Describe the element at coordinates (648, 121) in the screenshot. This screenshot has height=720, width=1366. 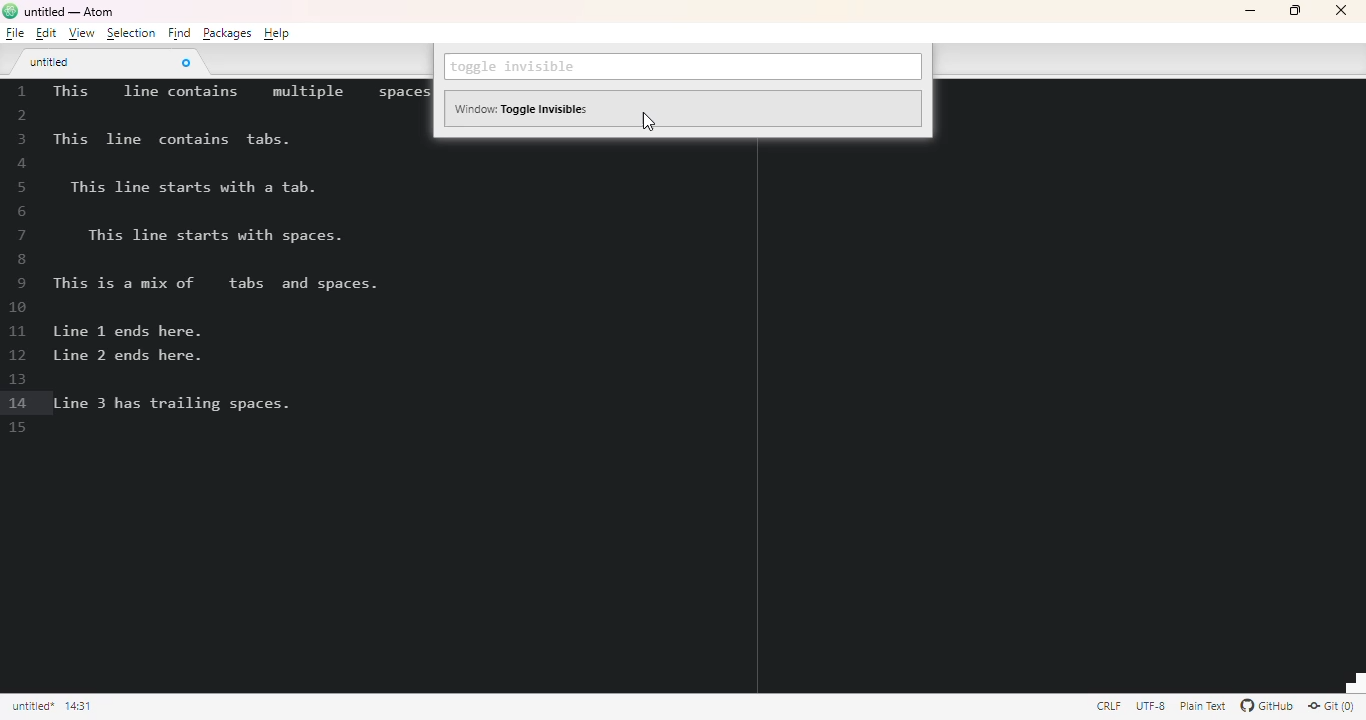
I see `cursor` at that location.